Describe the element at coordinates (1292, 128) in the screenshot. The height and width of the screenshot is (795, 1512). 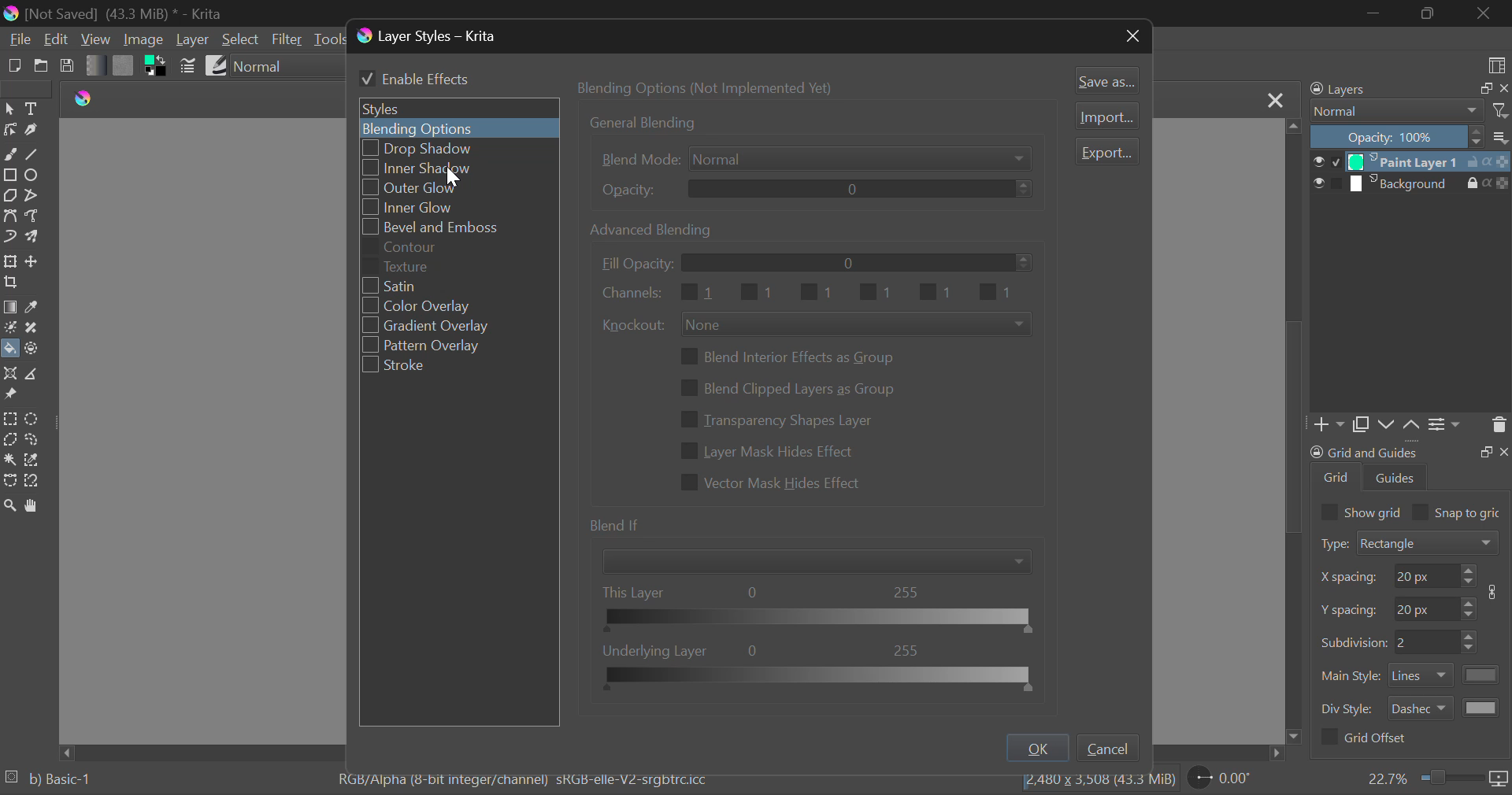
I see `move top` at that location.